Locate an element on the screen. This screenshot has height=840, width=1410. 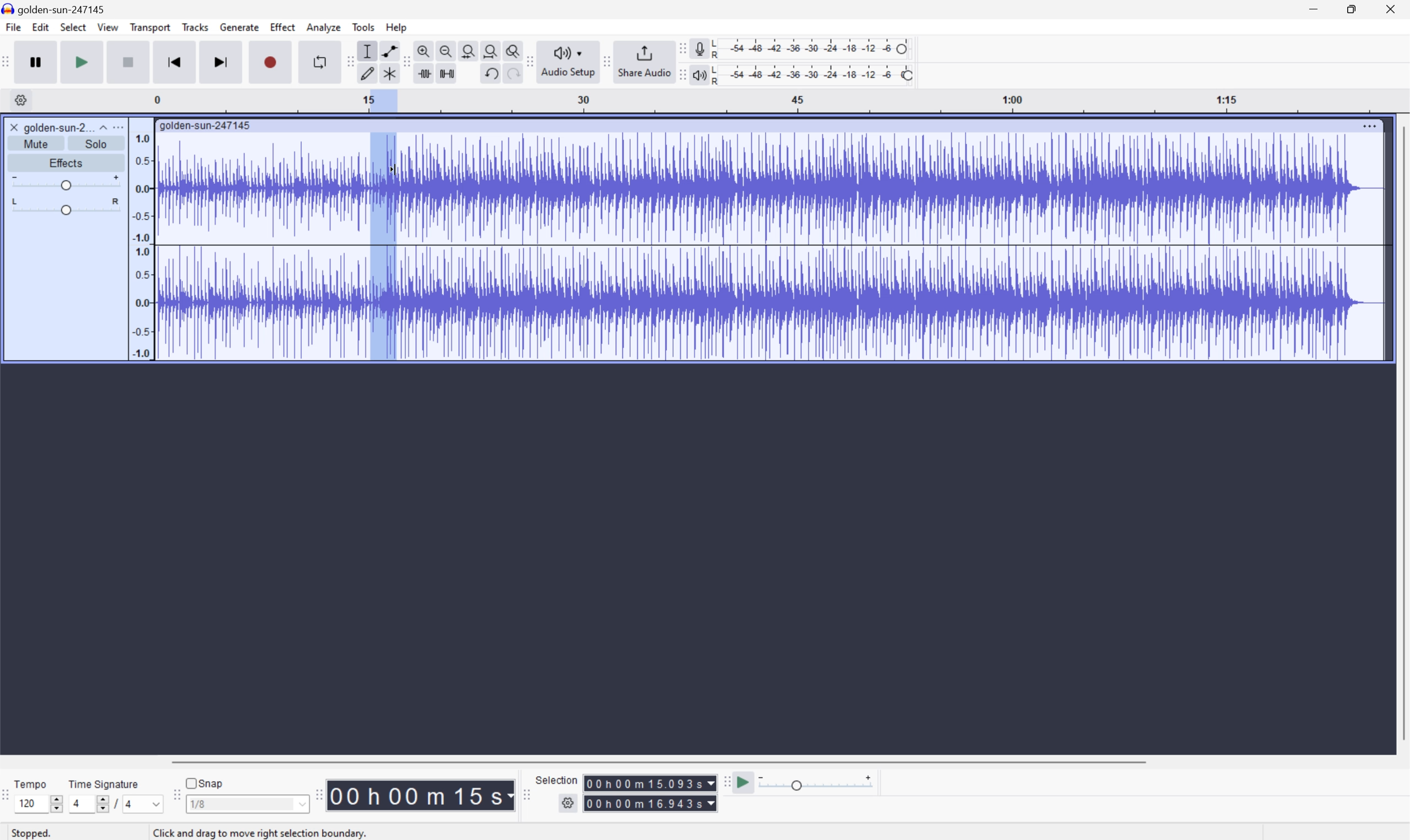
Silence audio selection is located at coordinates (446, 72).